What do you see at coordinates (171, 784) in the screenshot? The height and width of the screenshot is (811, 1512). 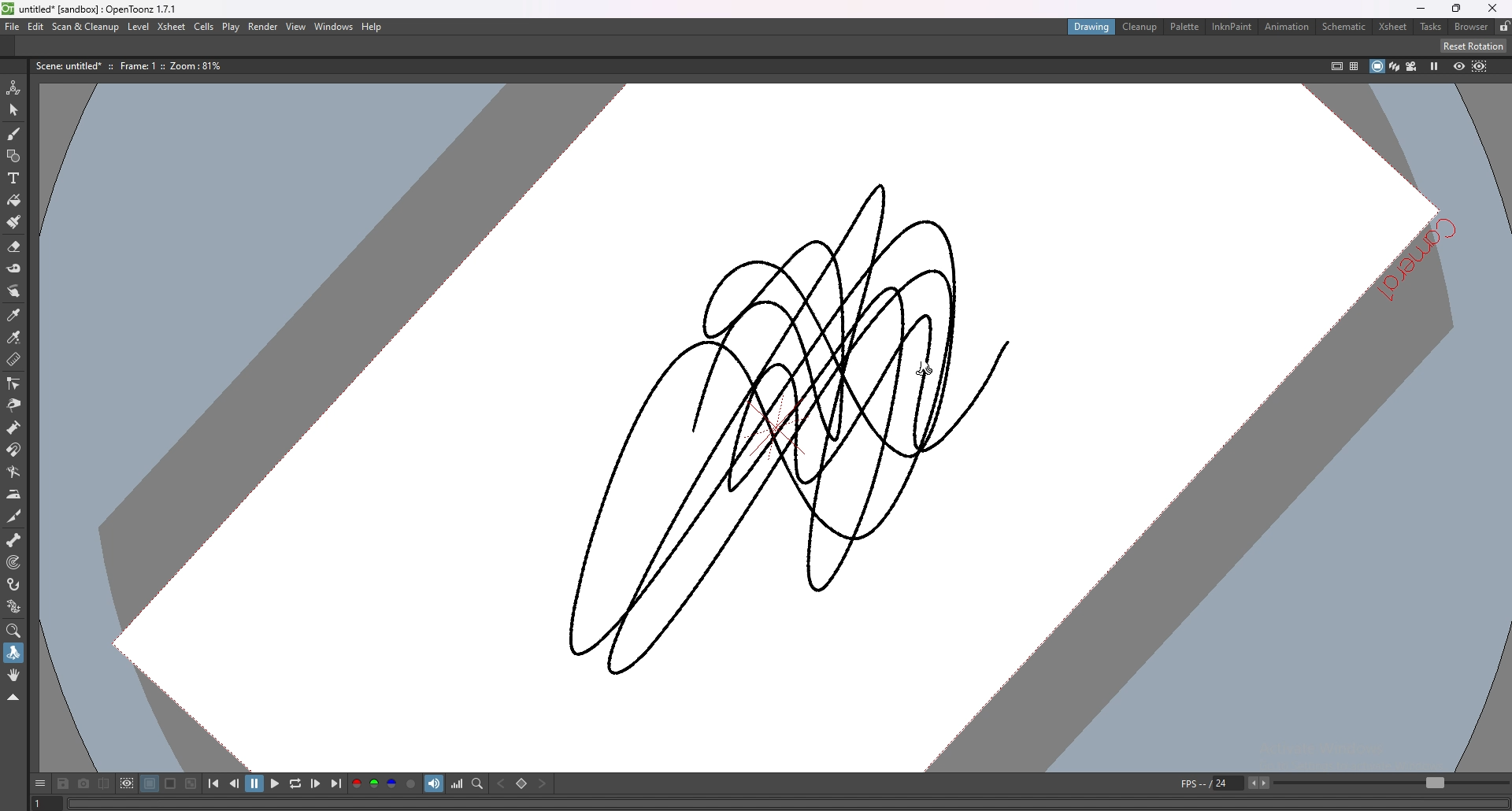 I see `white background` at bounding box center [171, 784].